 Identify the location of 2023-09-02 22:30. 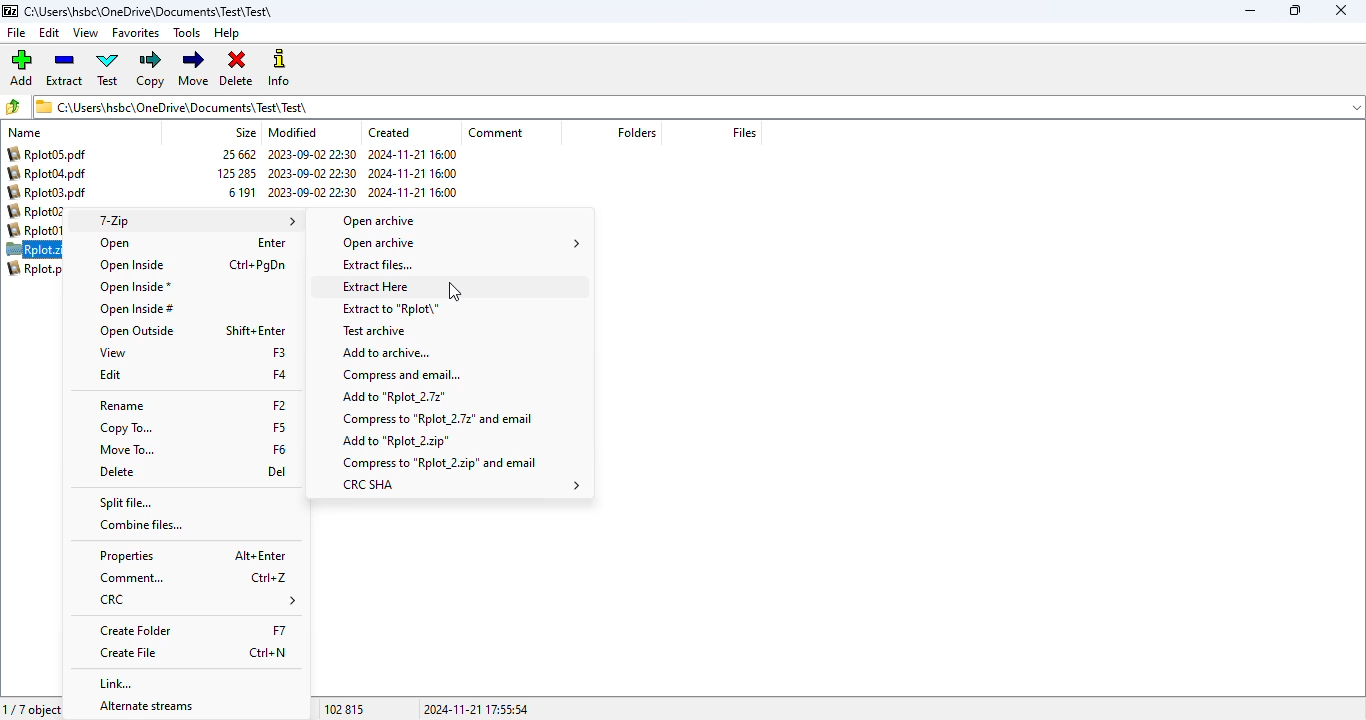
(312, 193).